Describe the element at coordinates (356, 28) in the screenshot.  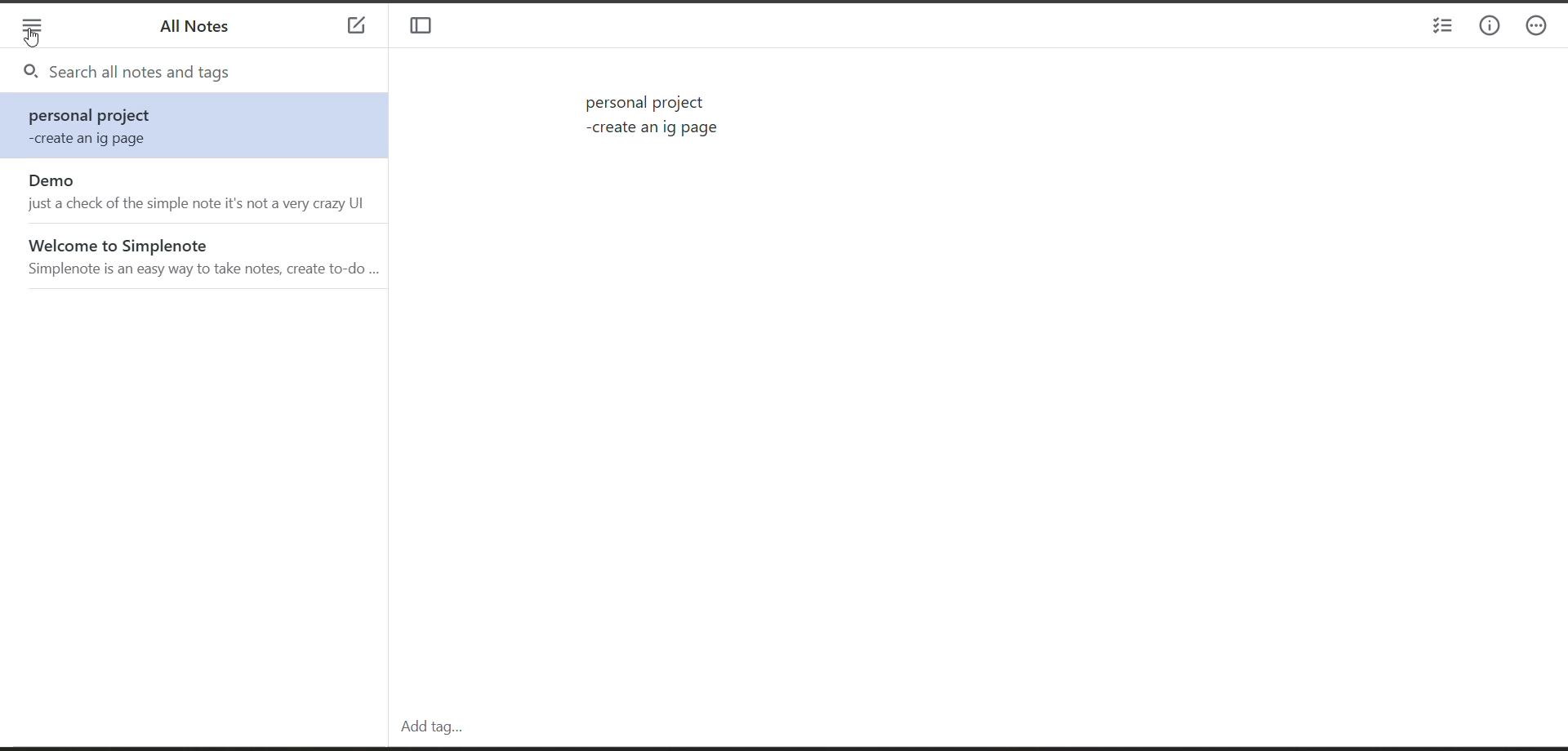
I see `new note` at that location.